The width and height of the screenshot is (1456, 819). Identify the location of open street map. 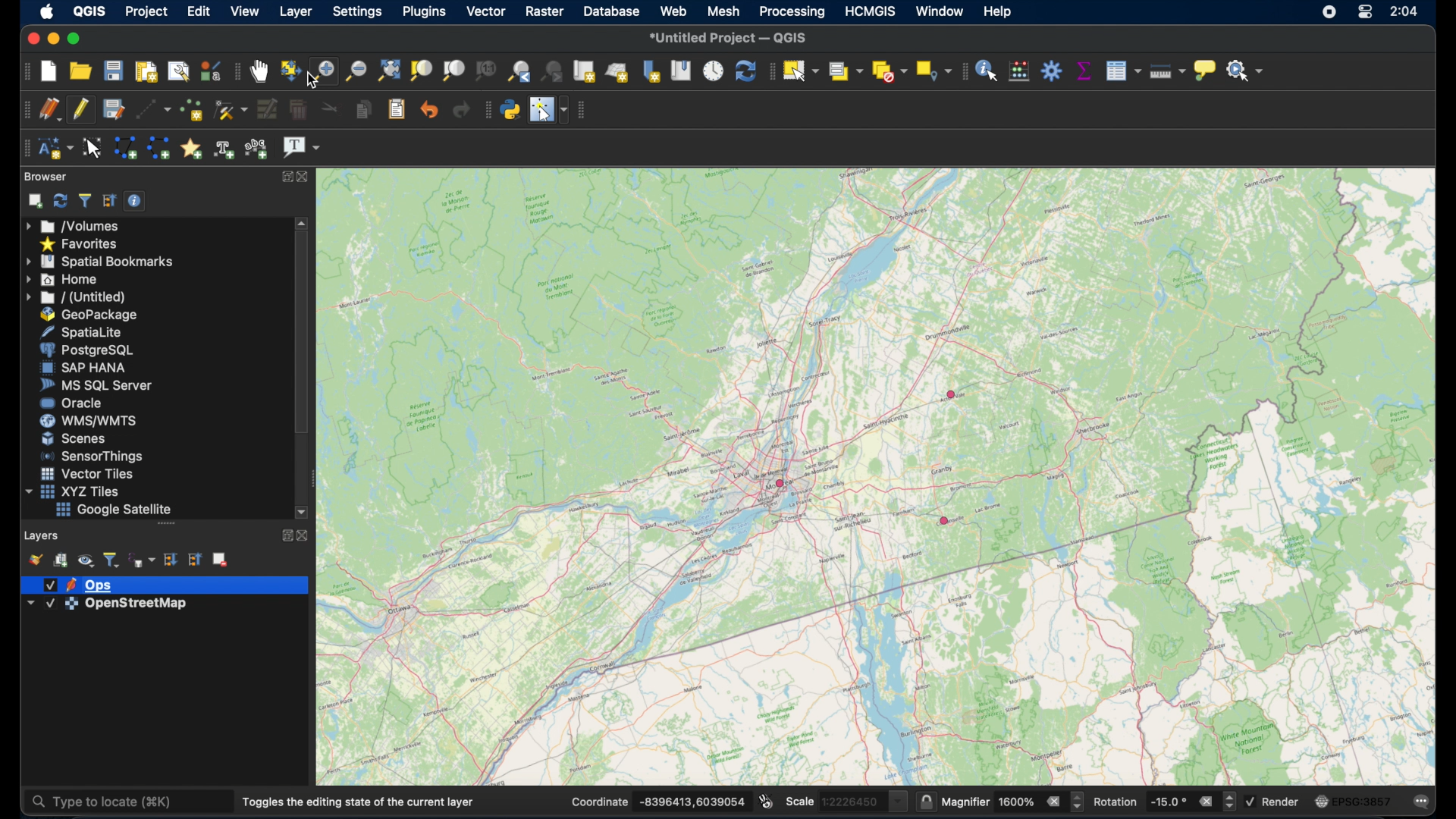
(1187, 661).